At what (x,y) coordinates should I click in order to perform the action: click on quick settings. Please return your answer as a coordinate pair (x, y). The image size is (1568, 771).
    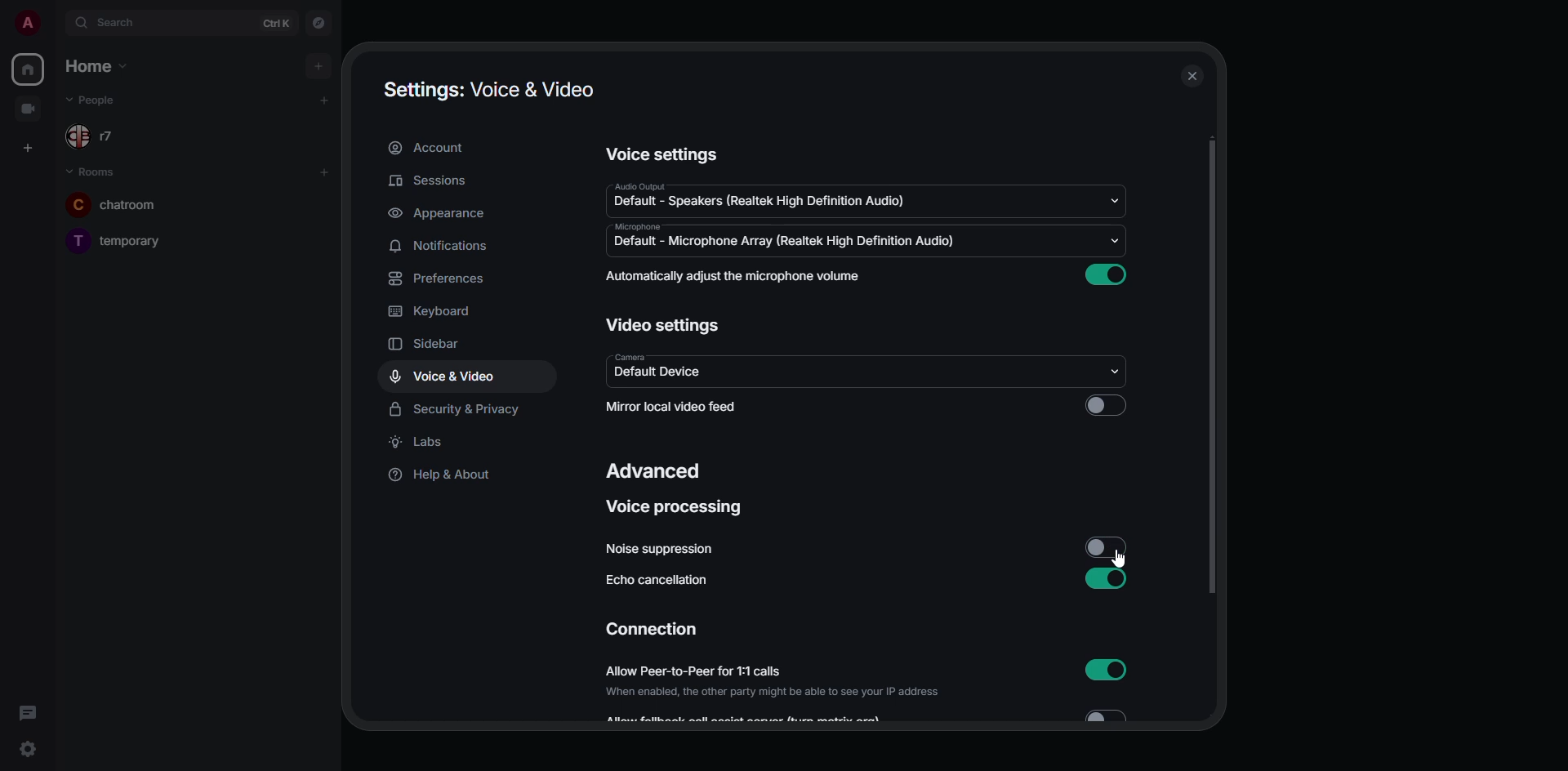
    Looking at the image, I should click on (30, 748).